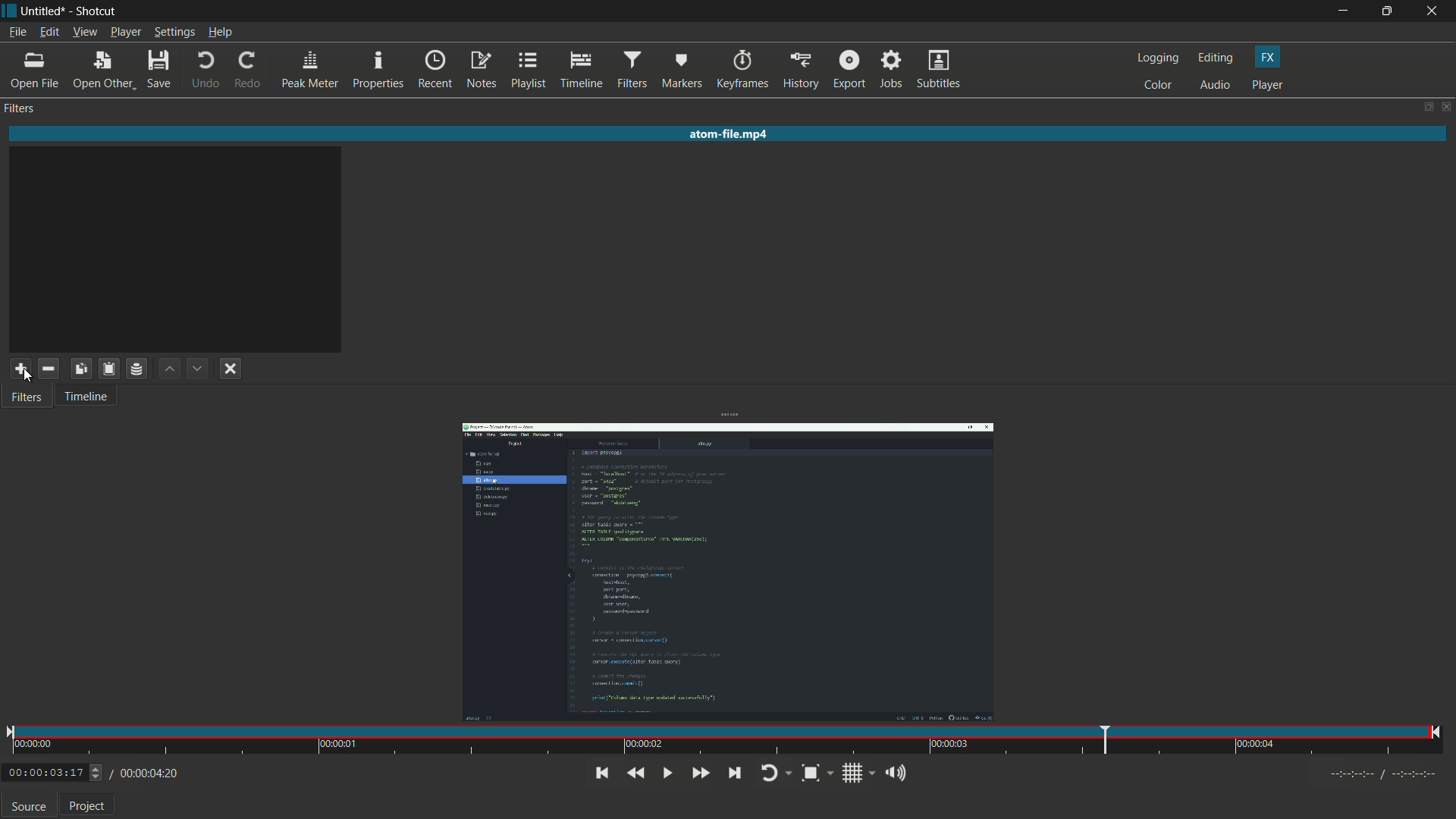  Describe the element at coordinates (378, 70) in the screenshot. I see `properties` at that location.